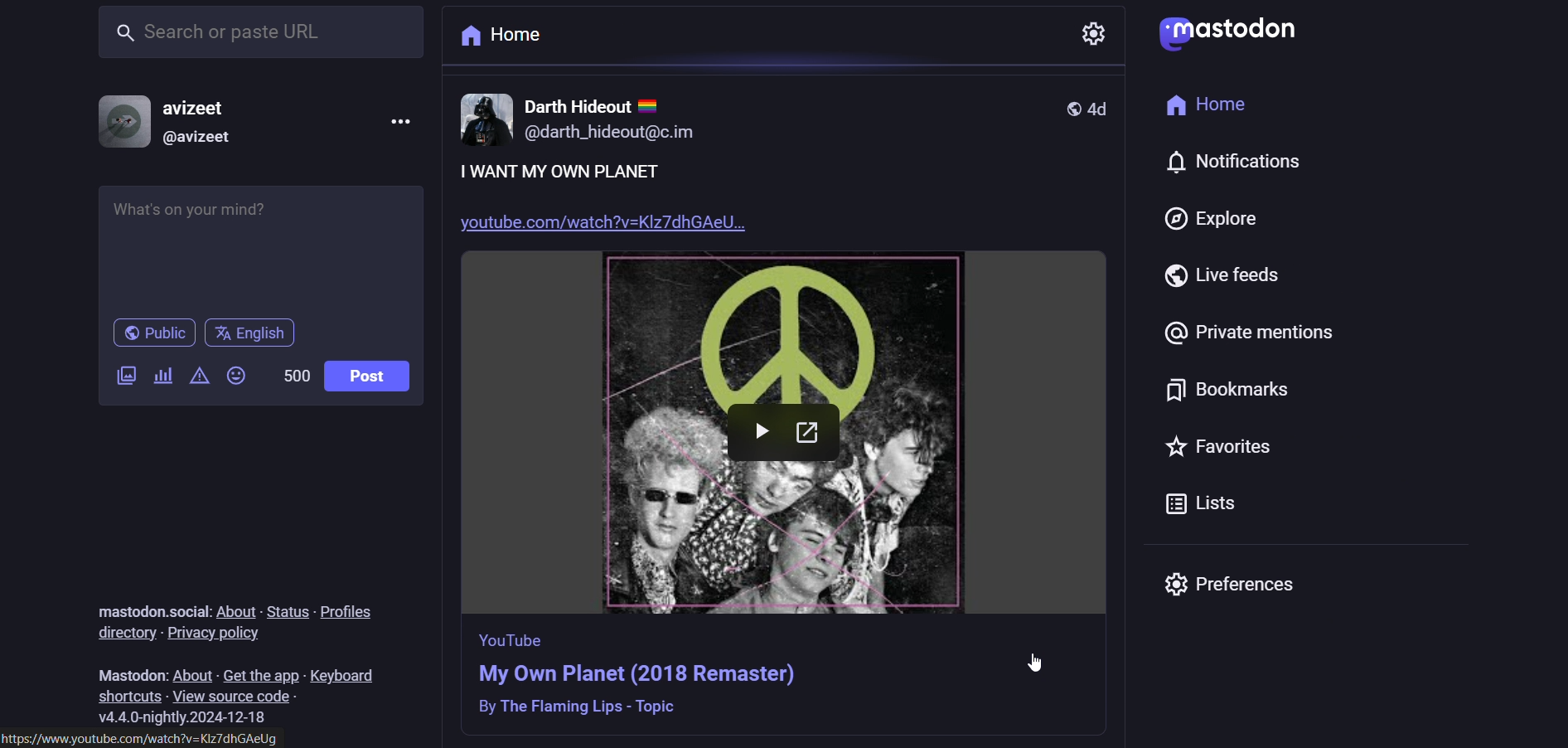 This screenshot has height=748, width=1568. What do you see at coordinates (788, 430) in the screenshot?
I see `image` at bounding box center [788, 430].